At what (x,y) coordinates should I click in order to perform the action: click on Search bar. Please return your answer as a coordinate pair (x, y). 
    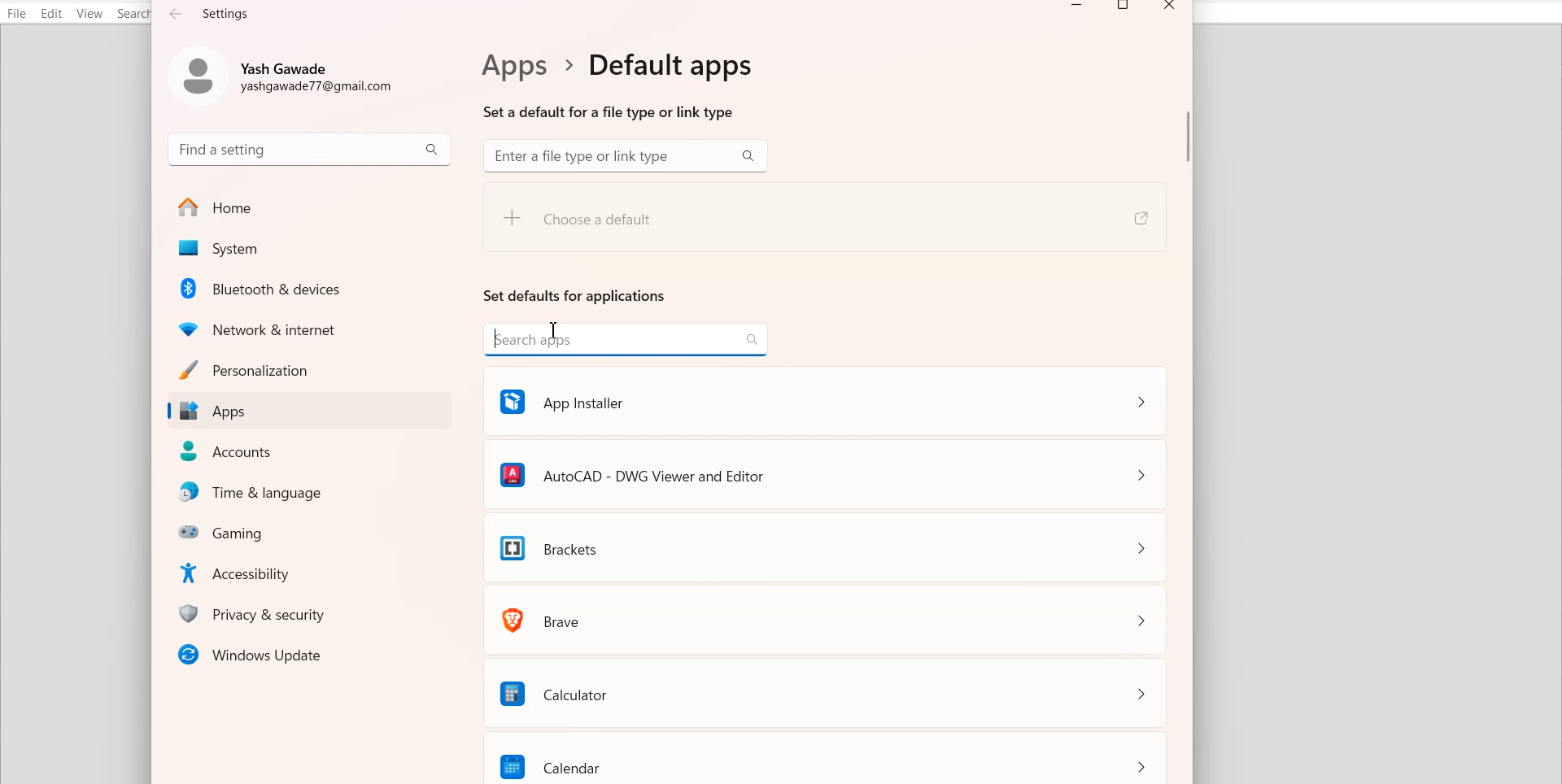
    Looking at the image, I should click on (310, 148).